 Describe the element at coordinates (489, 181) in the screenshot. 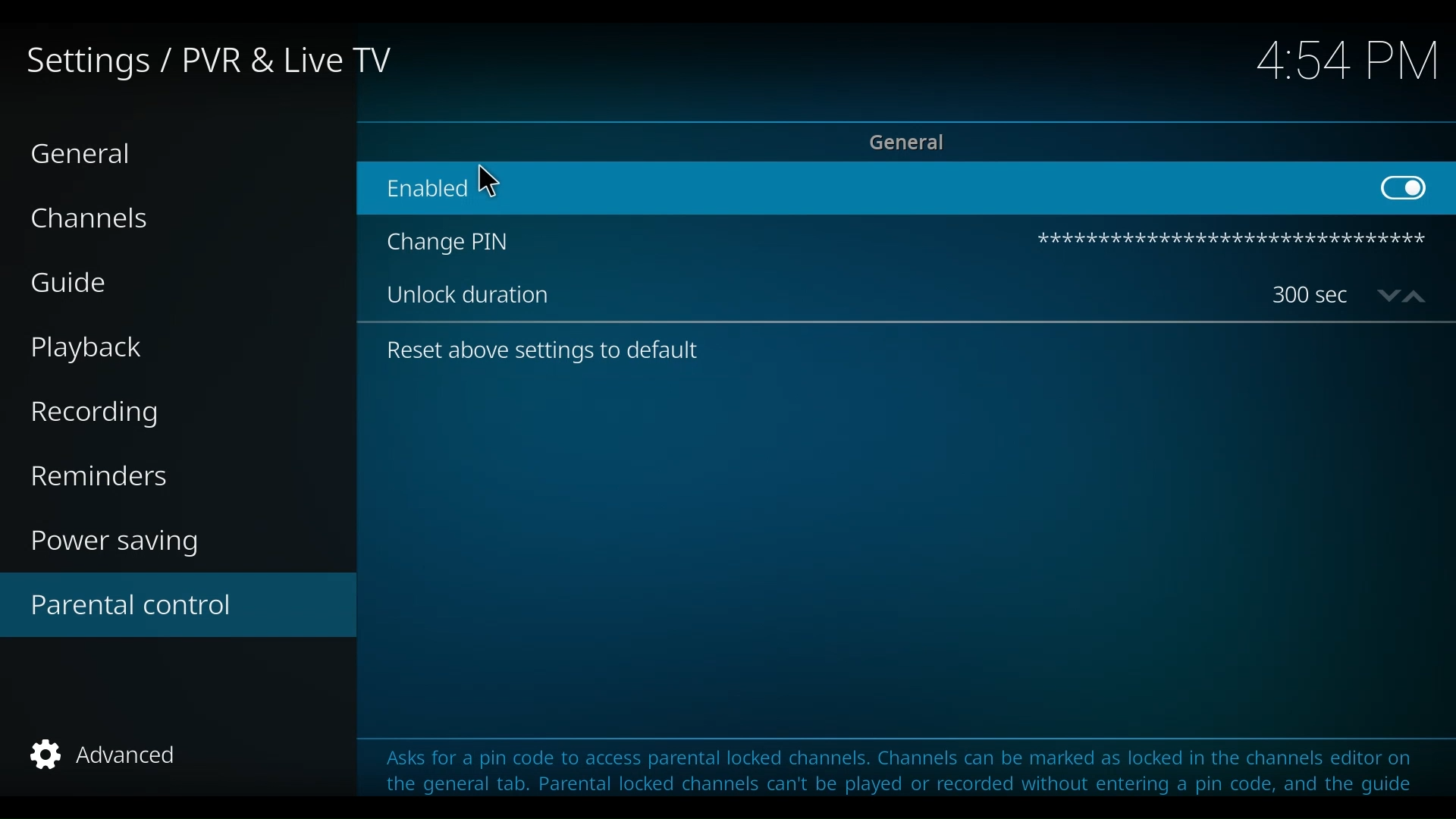

I see `cursor` at that location.